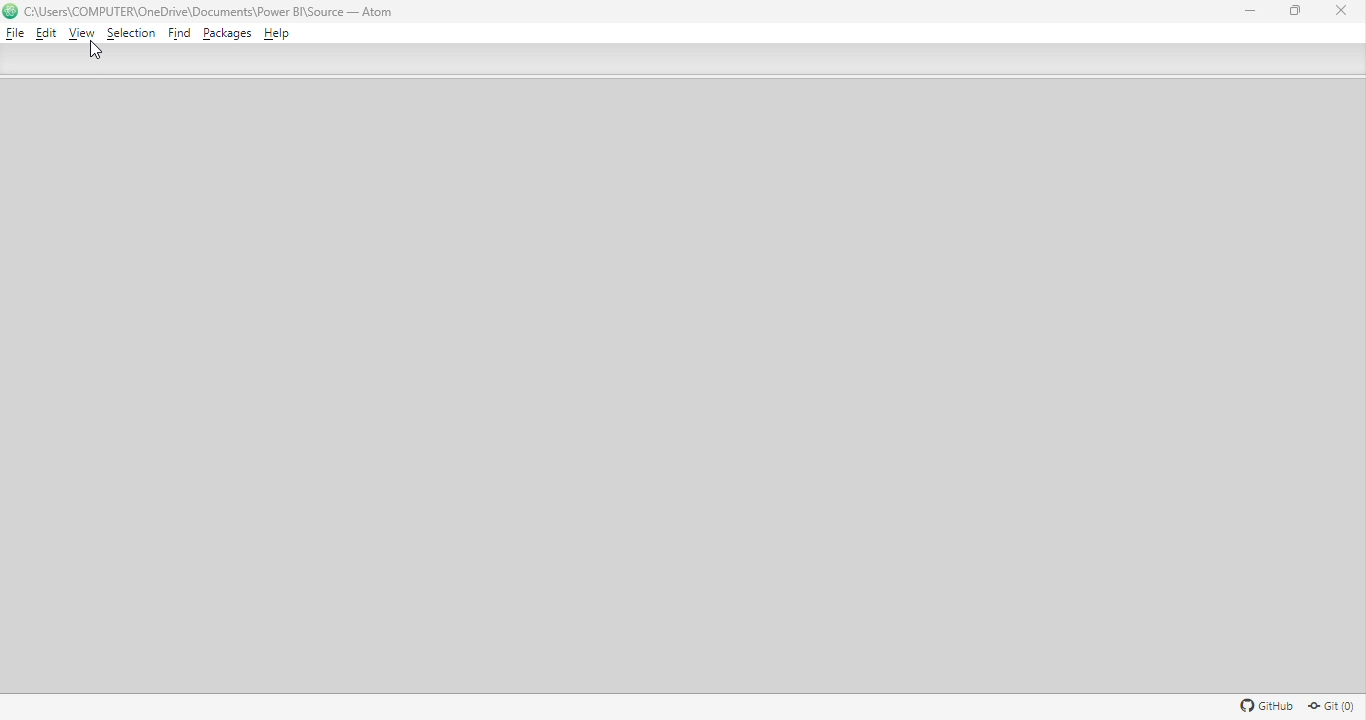 This screenshot has width=1366, height=720. What do you see at coordinates (11, 11) in the screenshot?
I see `logo ` at bounding box center [11, 11].